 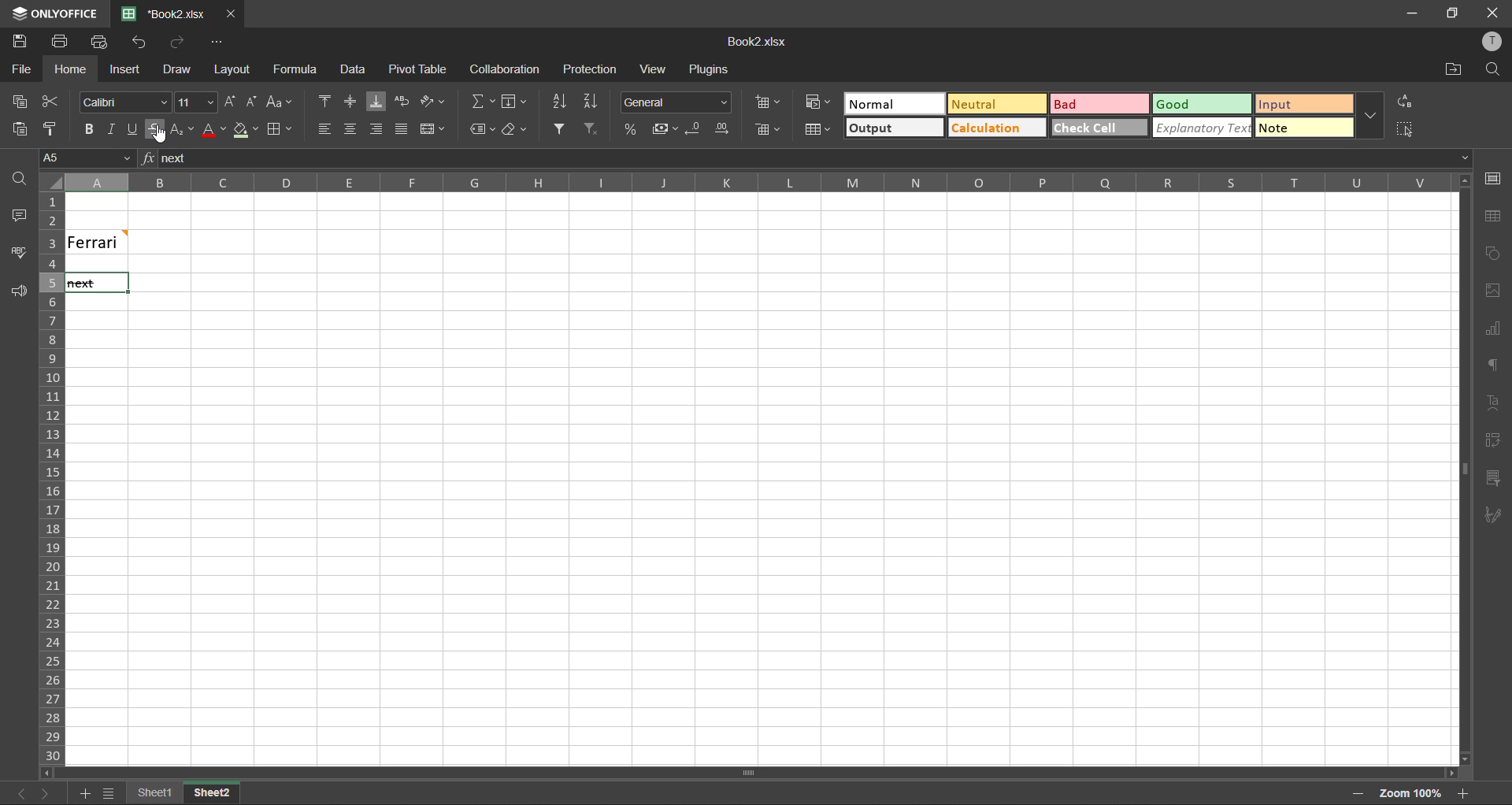 What do you see at coordinates (435, 101) in the screenshot?
I see `orientation` at bounding box center [435, 101].